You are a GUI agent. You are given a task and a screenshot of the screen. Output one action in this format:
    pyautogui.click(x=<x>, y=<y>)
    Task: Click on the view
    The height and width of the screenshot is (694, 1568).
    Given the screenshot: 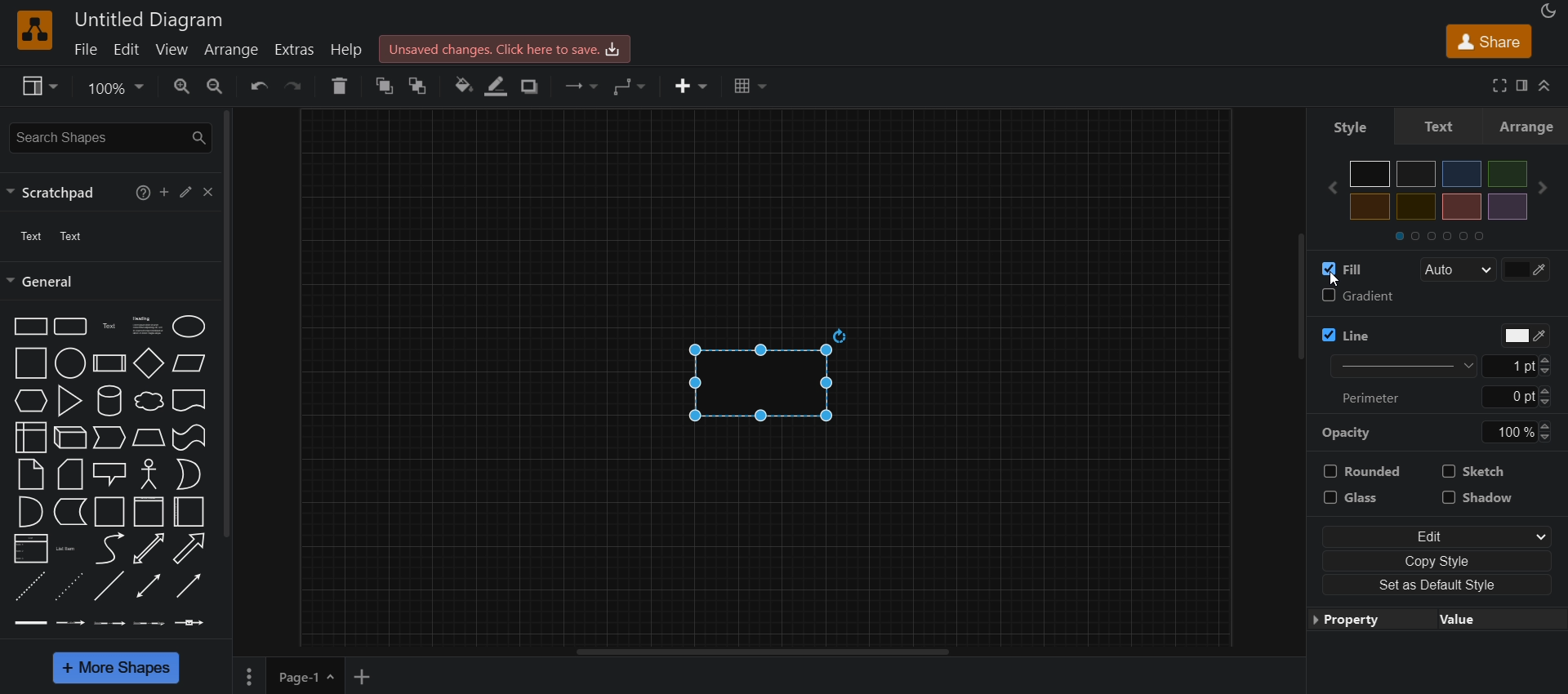 What is the action you would take?
    pyautogui.click(x=171, y=50)
    